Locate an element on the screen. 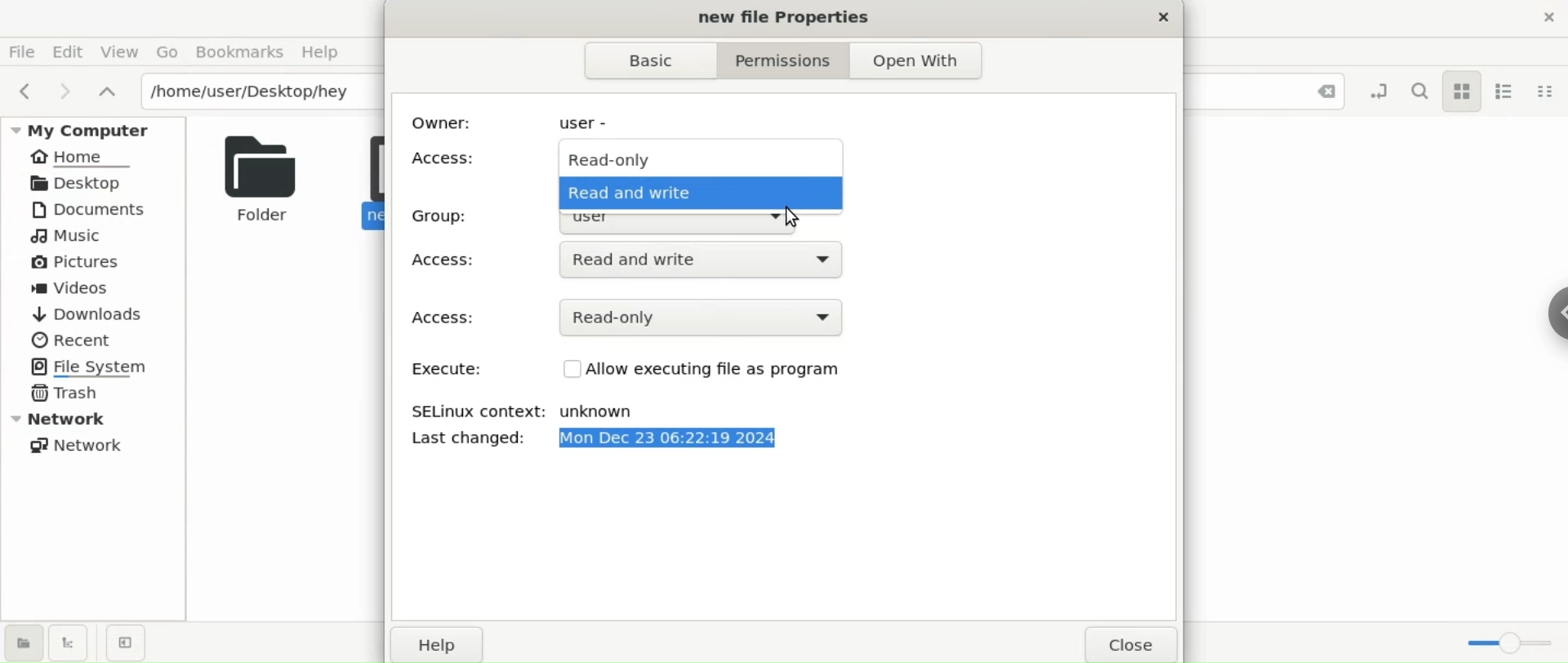 Image resolution: width=1568 pixels, height=663 pixels. Network is located at coordinates (82, 445).